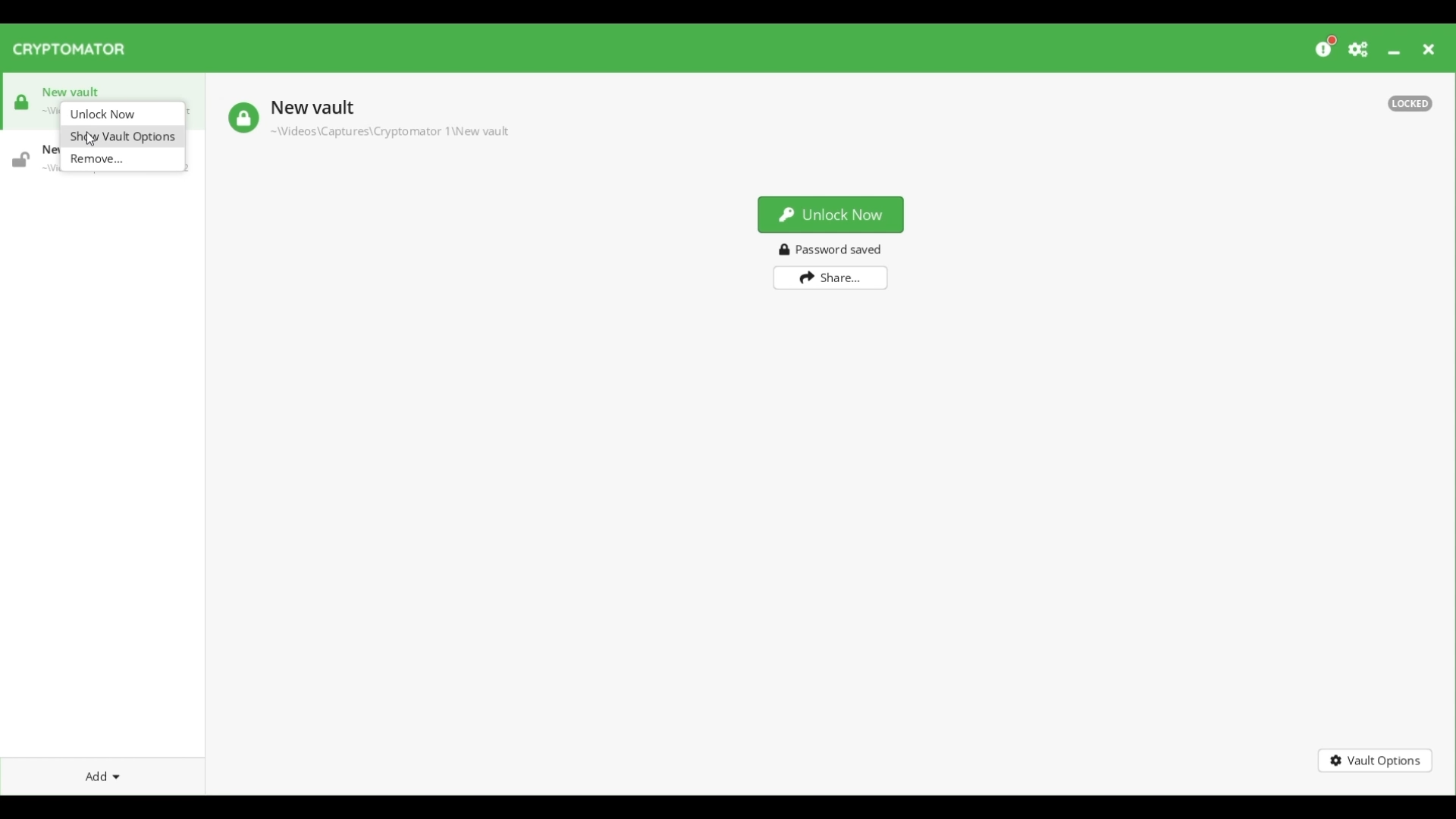  What do you see at coordinates (30, 157) in the screenshot?
I see `Vault 2` at bounding box center [30, 157].